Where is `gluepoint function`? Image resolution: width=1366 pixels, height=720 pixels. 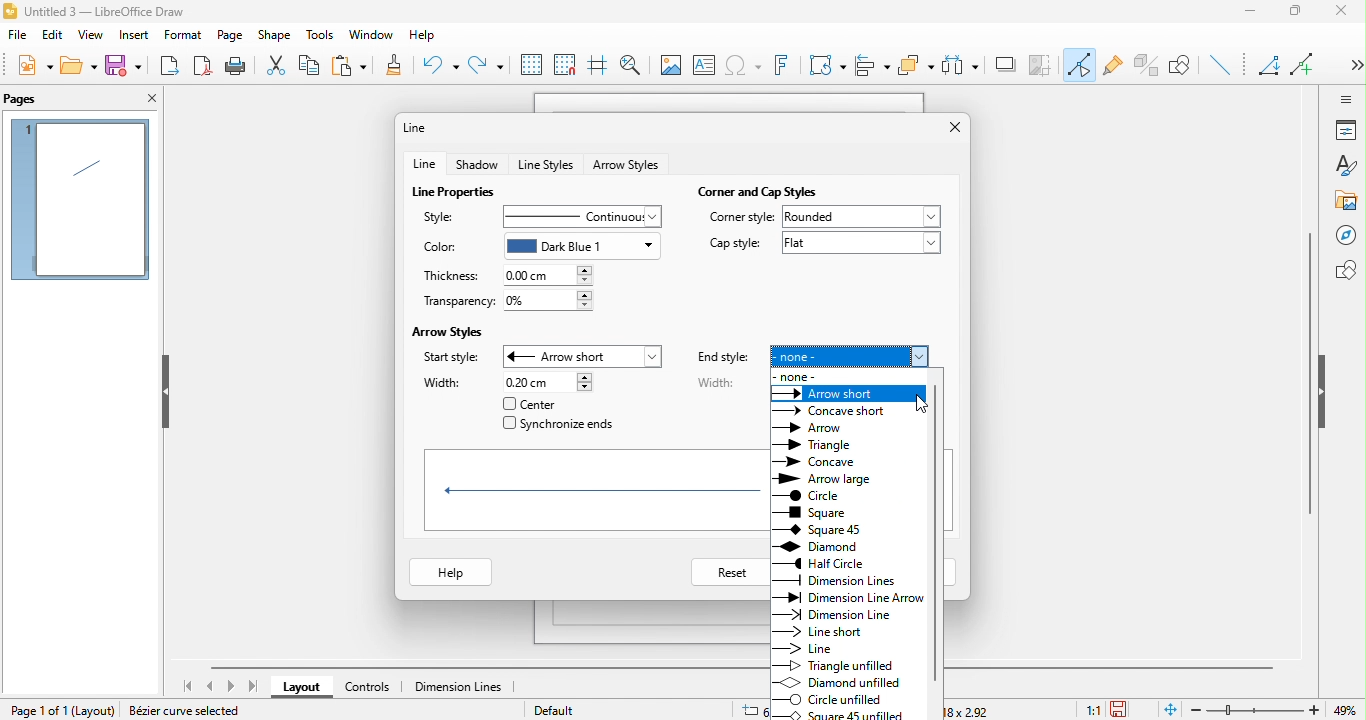
gluepoint function is located at coordinates (1114, 67).